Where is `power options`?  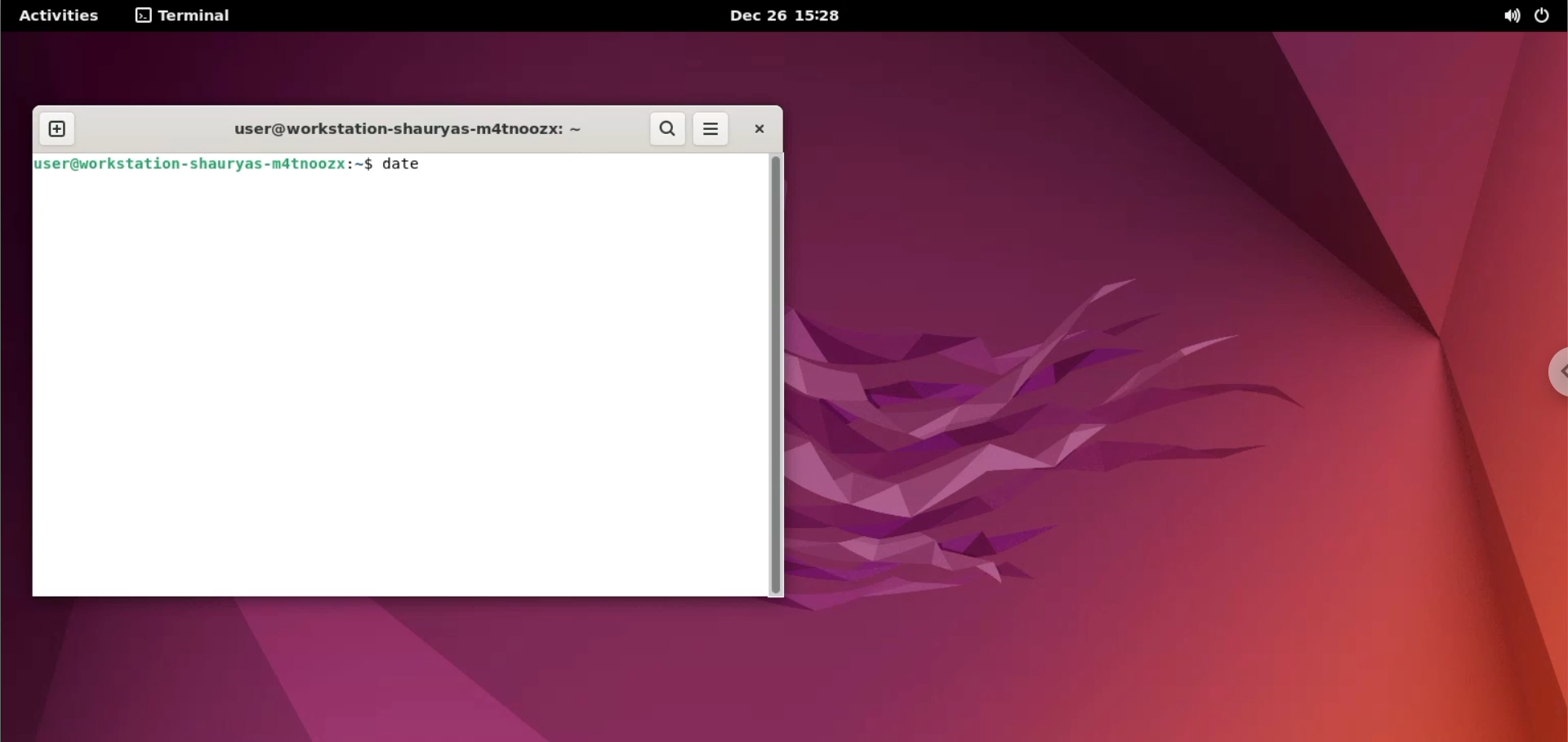
power options is located at coordinates (1549, 16).